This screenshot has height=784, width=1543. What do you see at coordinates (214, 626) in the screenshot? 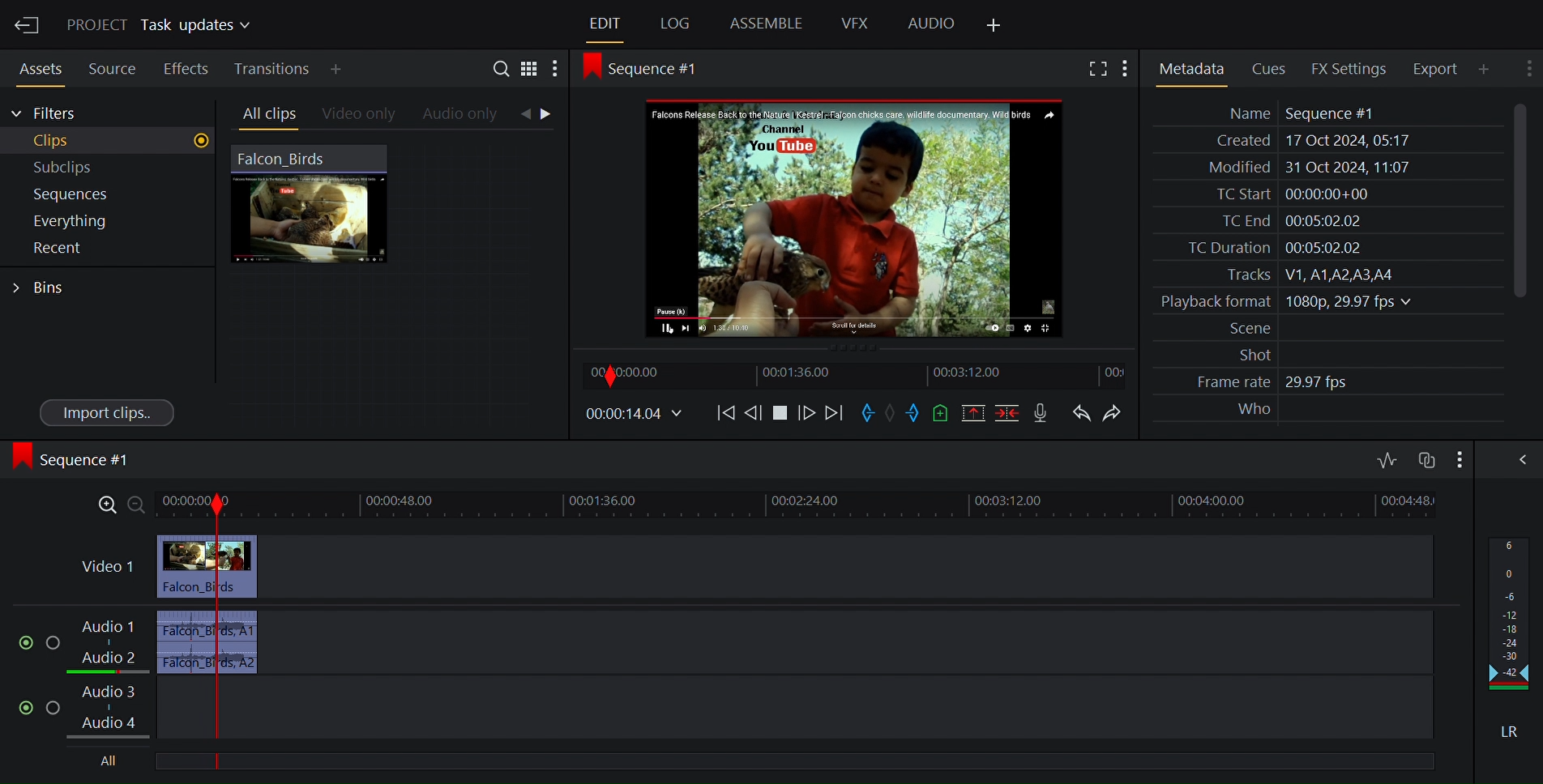
I see `Timeline indicator` at bounding box center [214, 626].